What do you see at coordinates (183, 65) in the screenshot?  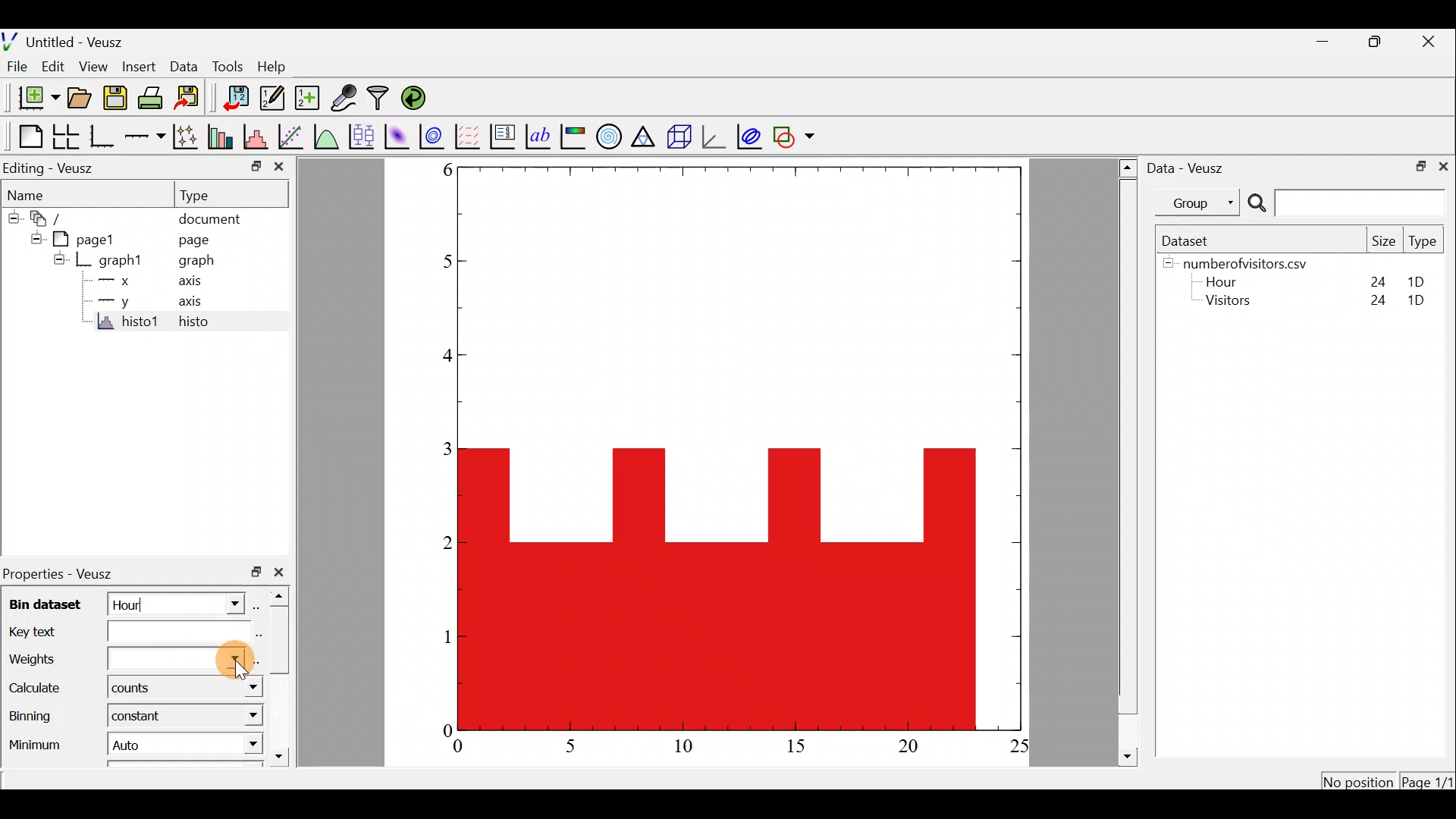 I see `Data` at bounding box center [183, 65].